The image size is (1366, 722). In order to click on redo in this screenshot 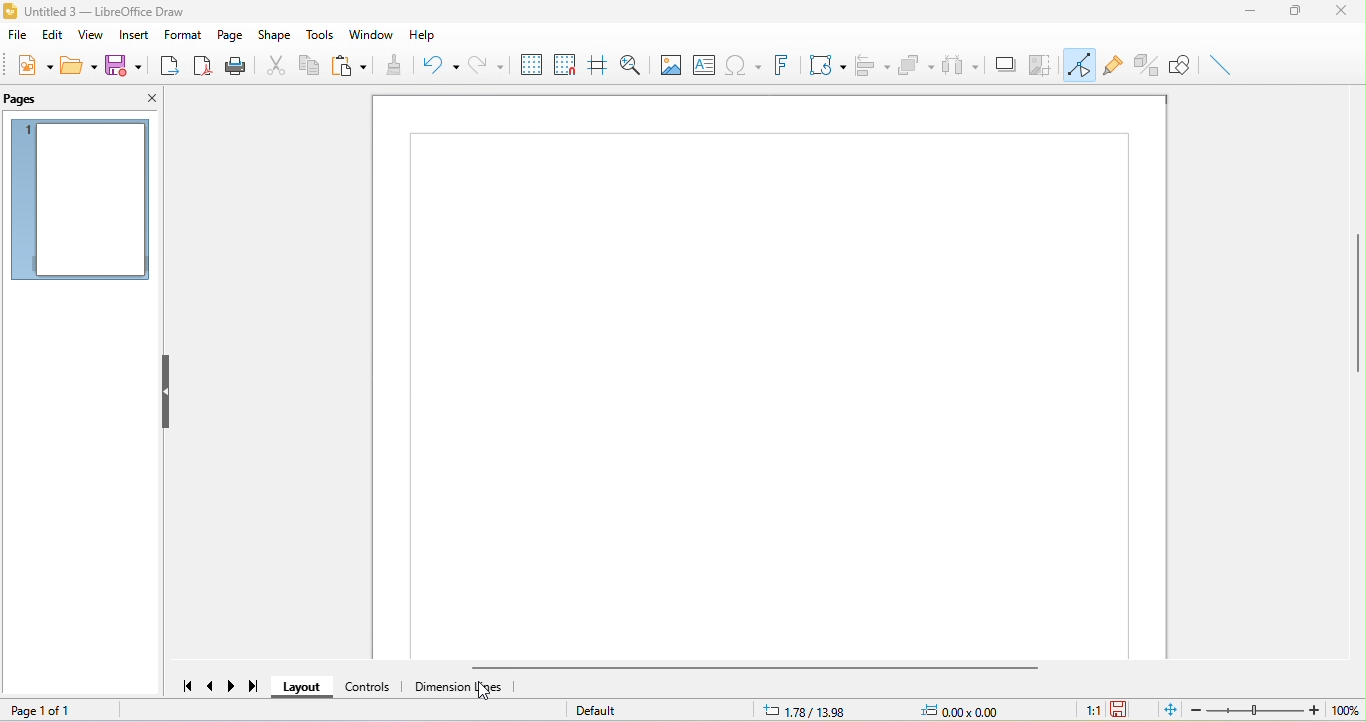, I will do `click(485, 63)`.